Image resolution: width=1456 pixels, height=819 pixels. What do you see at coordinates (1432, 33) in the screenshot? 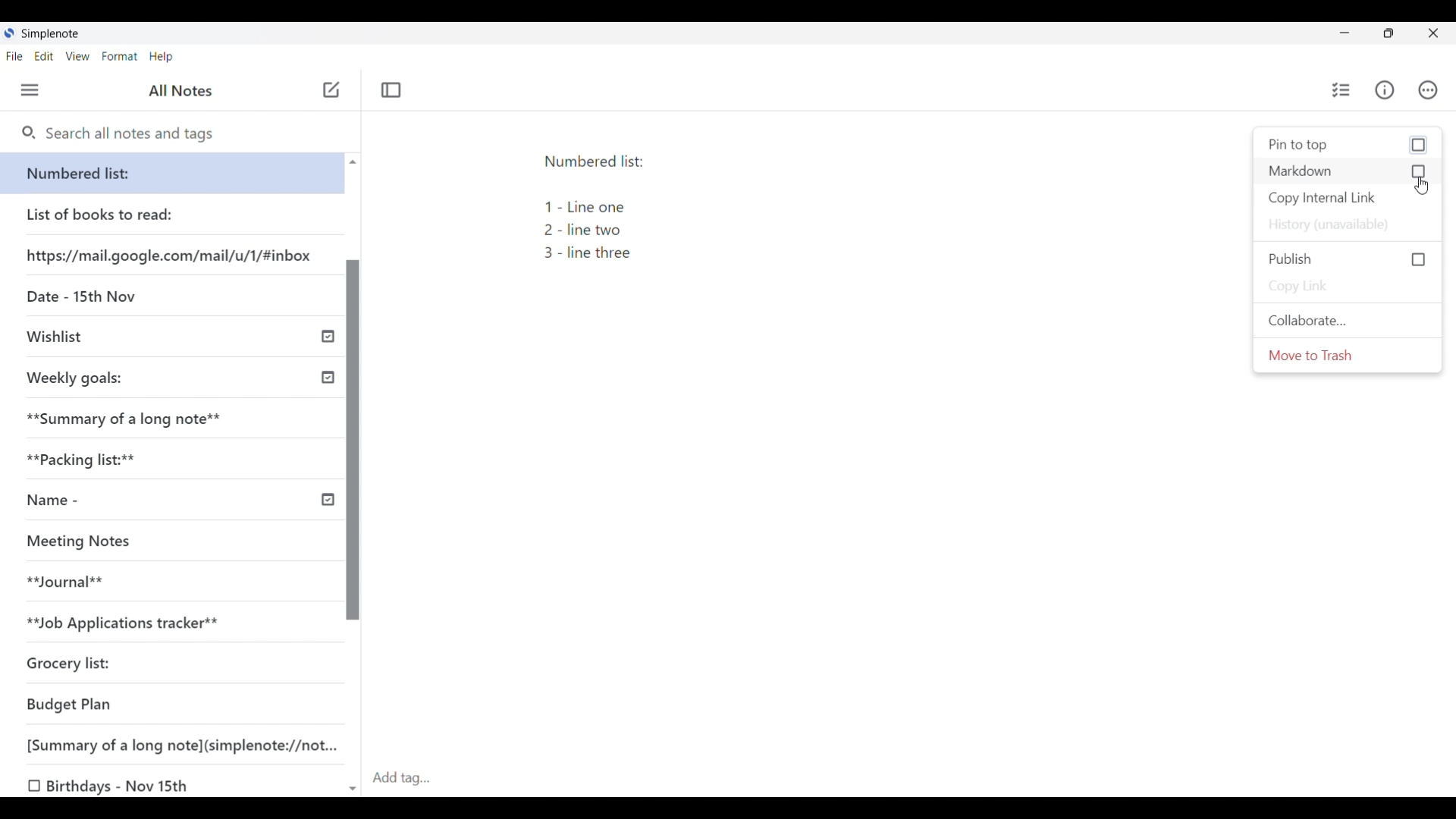
I see `Close interface` at bounding box center [1432, 33].